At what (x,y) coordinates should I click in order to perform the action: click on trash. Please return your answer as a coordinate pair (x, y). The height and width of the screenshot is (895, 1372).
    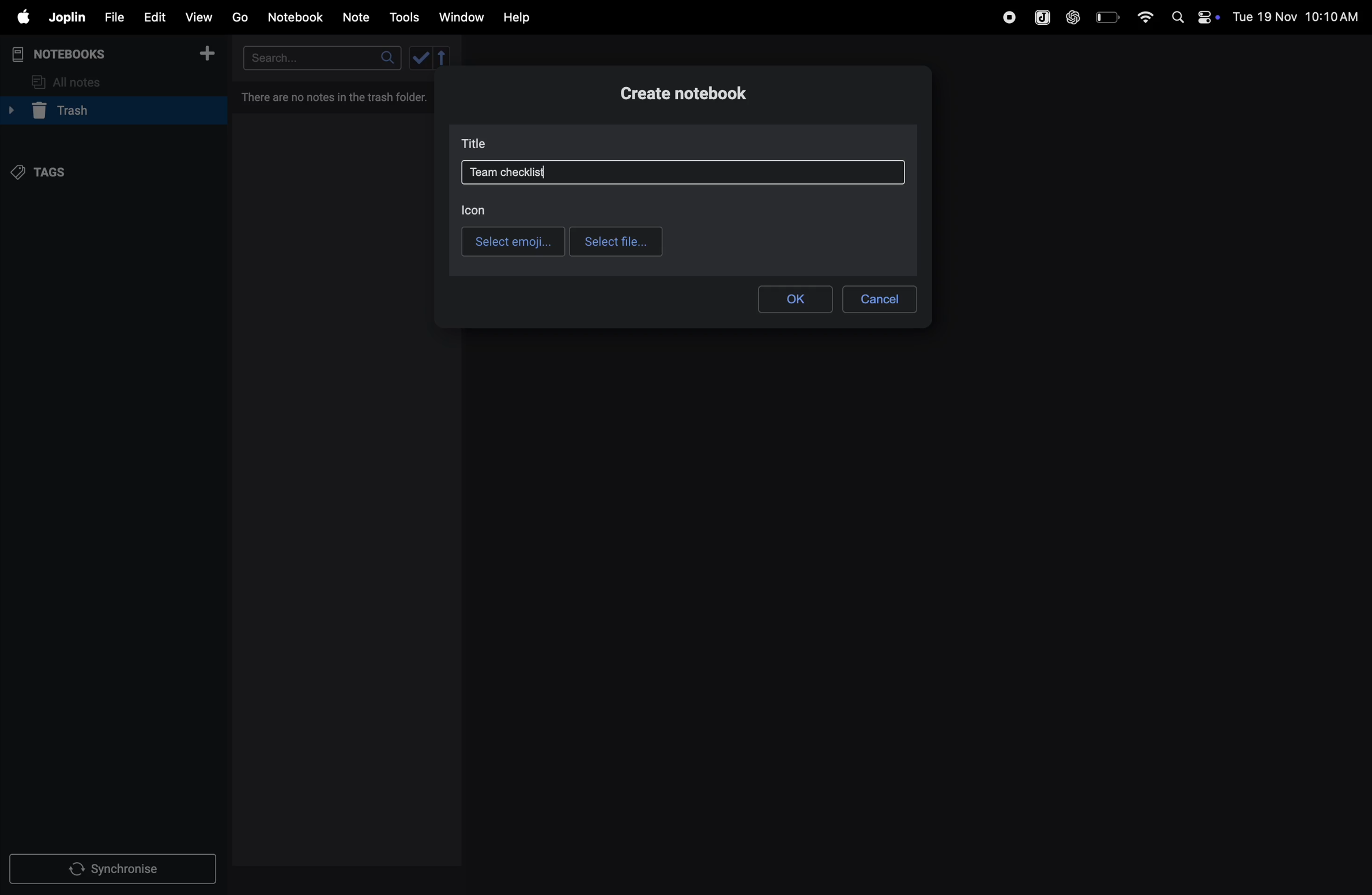
    Looking at the image, I should click on (109, 112).